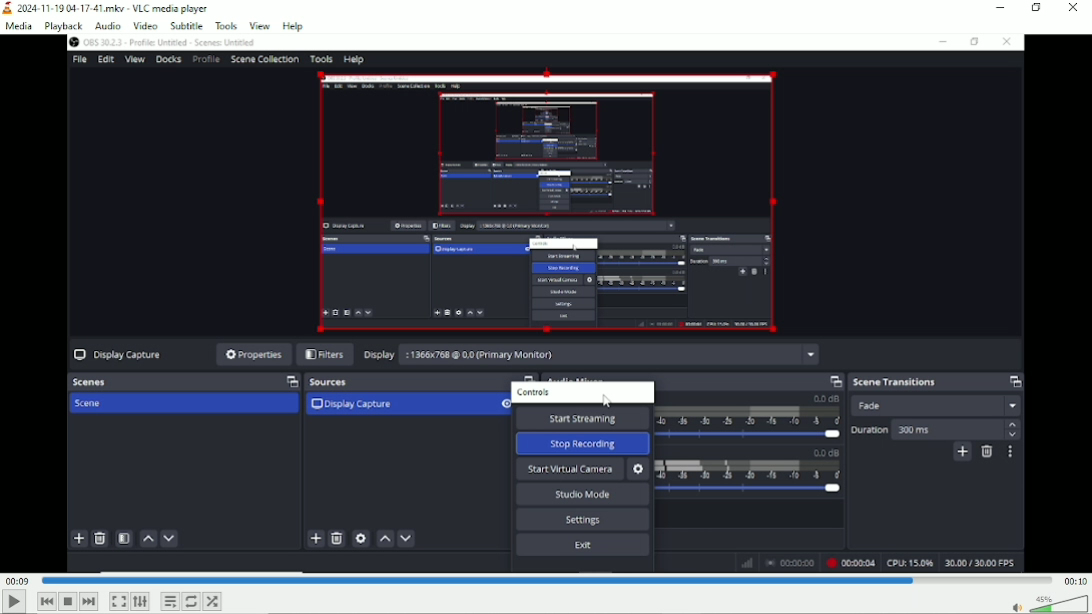 The image size is (1092, 614). I want to click on Video, so click(144, 25).